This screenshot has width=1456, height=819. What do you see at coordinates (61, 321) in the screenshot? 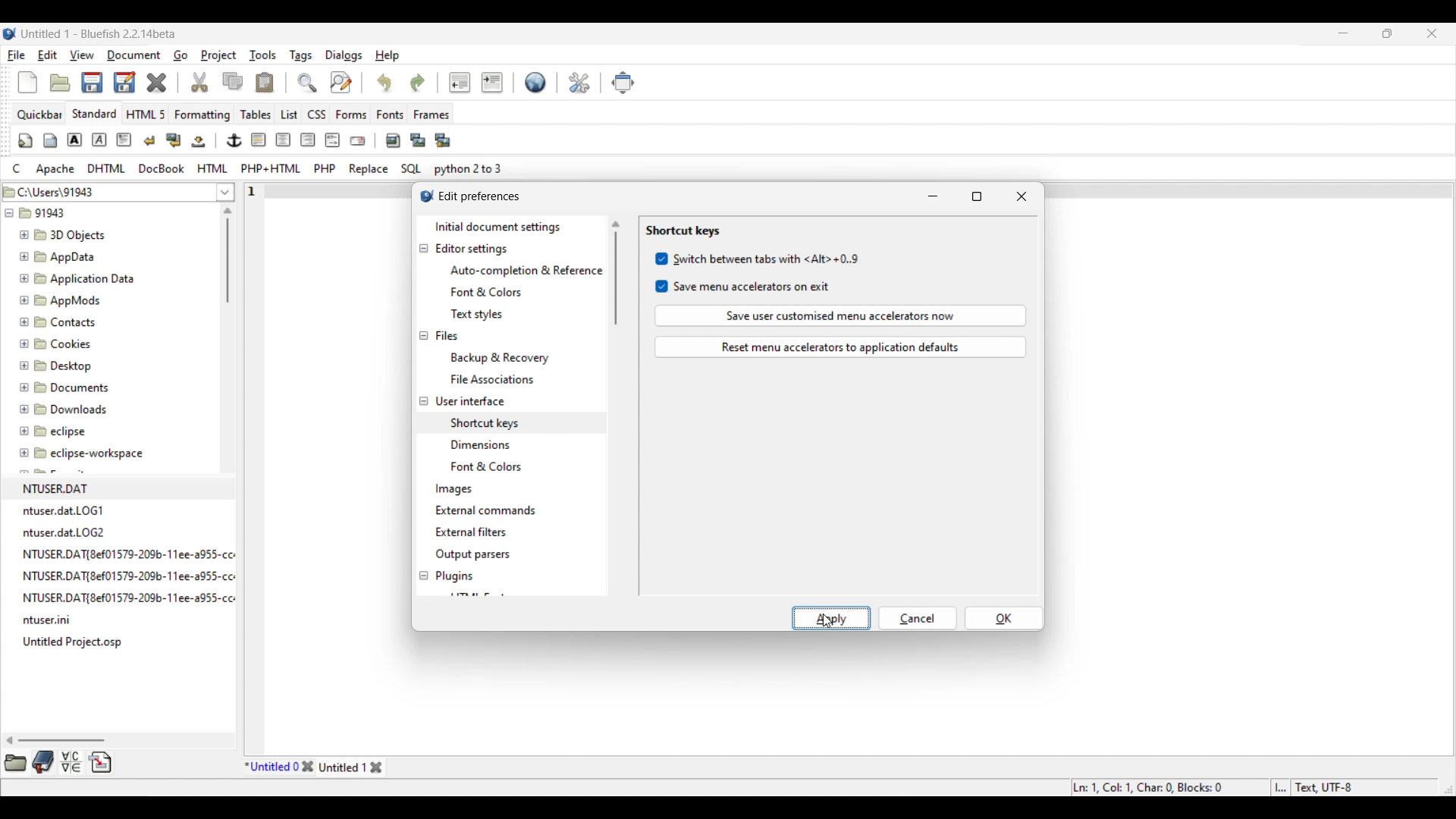
I see `Contacts` at bounding box center [61, 321].